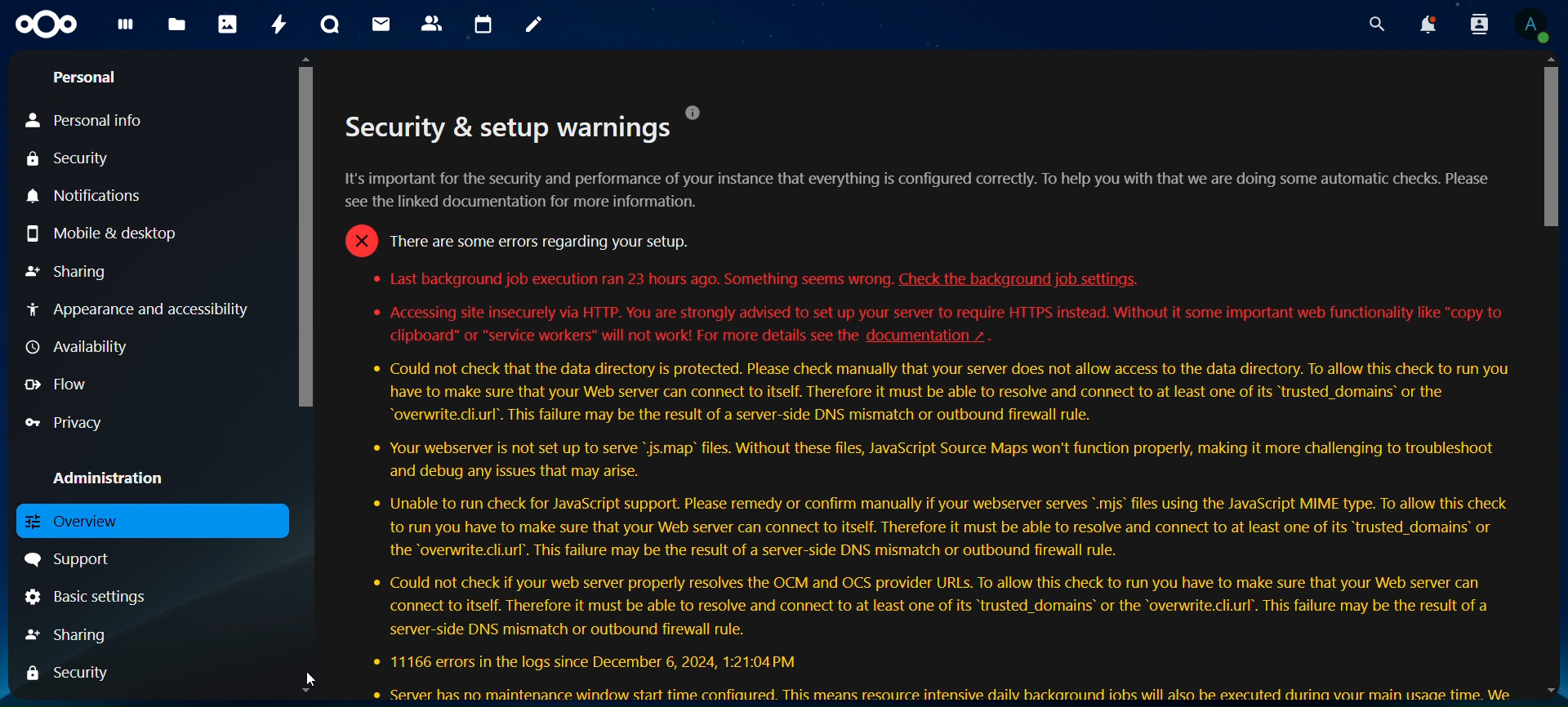  I want to click on Cursor, so click(307, 678).